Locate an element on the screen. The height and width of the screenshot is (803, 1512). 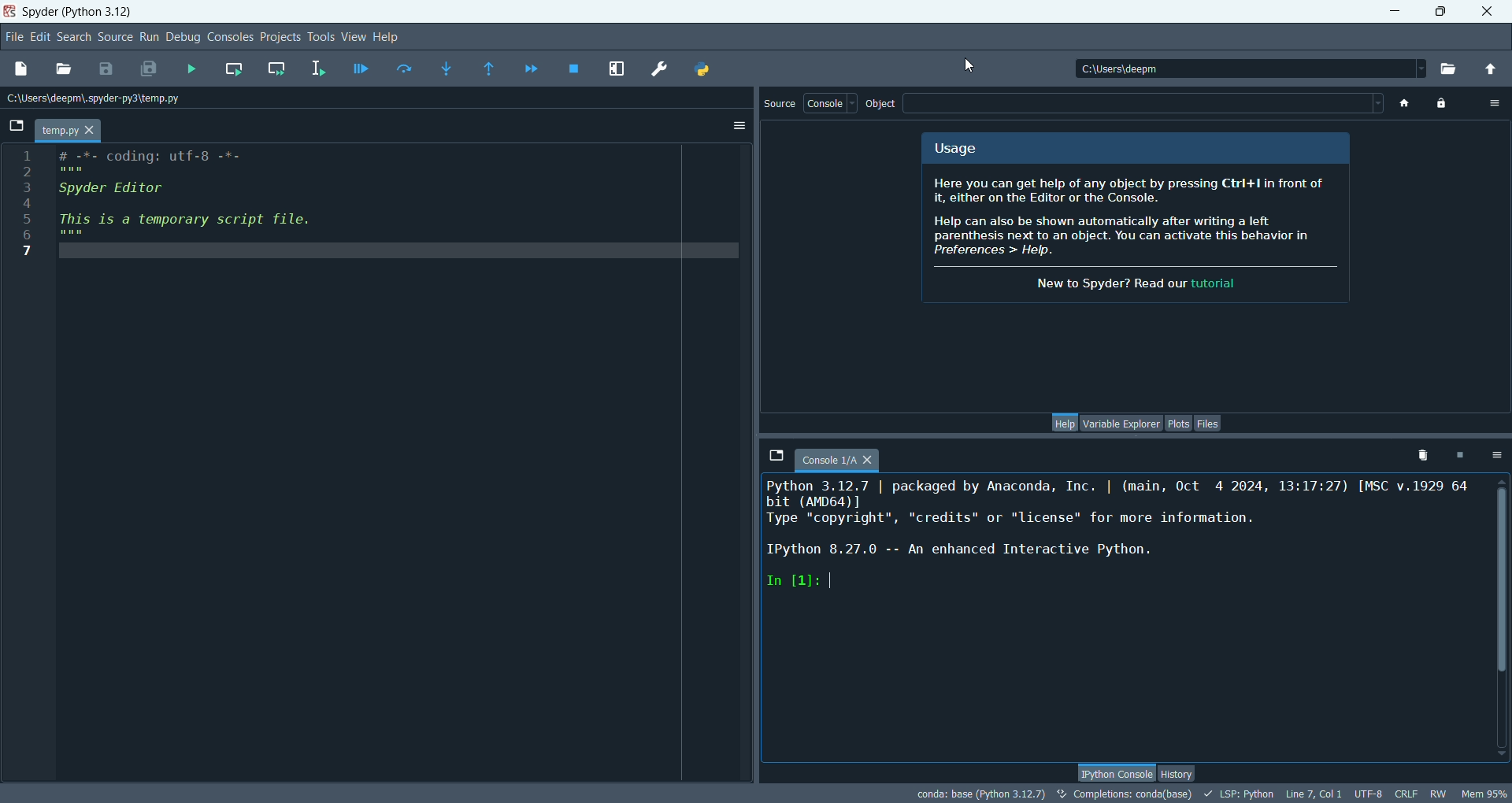
conda:base is located at coordinates (976, 792).